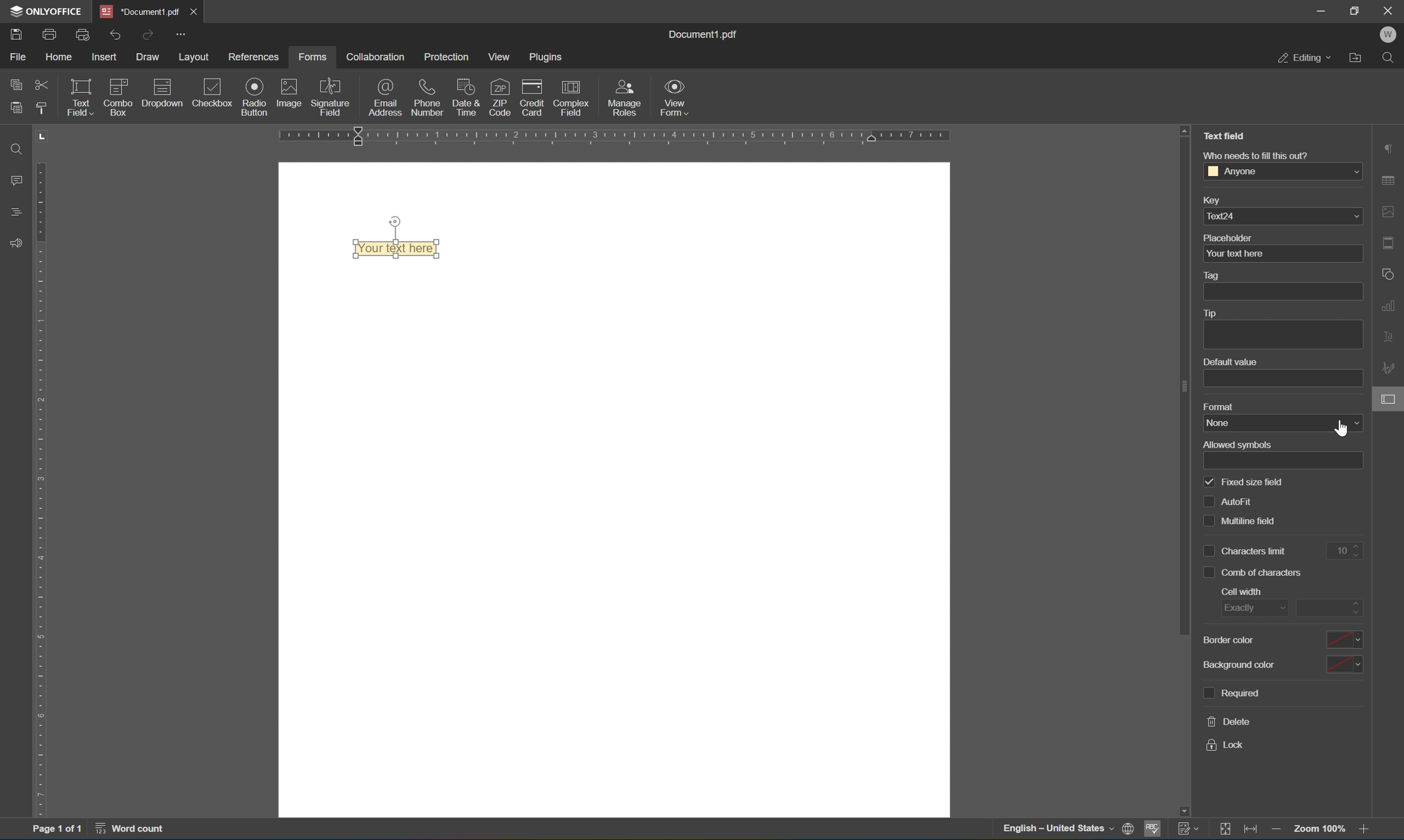  Describe the element at coordinates (374, 57) in the screenshot. I see `collaboration` at that location.